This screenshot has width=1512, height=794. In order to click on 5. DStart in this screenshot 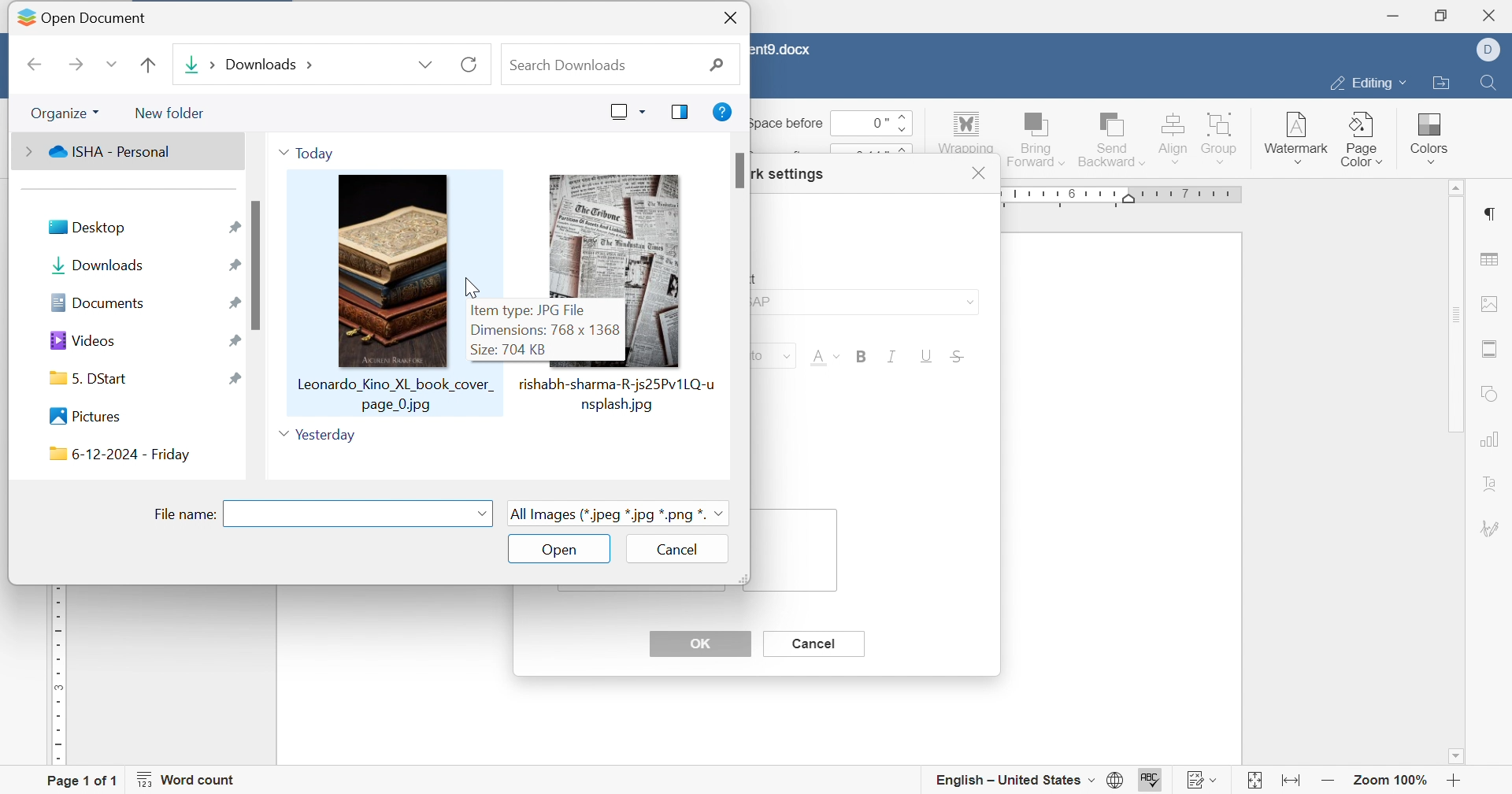, I will do `click(92, 377)`.